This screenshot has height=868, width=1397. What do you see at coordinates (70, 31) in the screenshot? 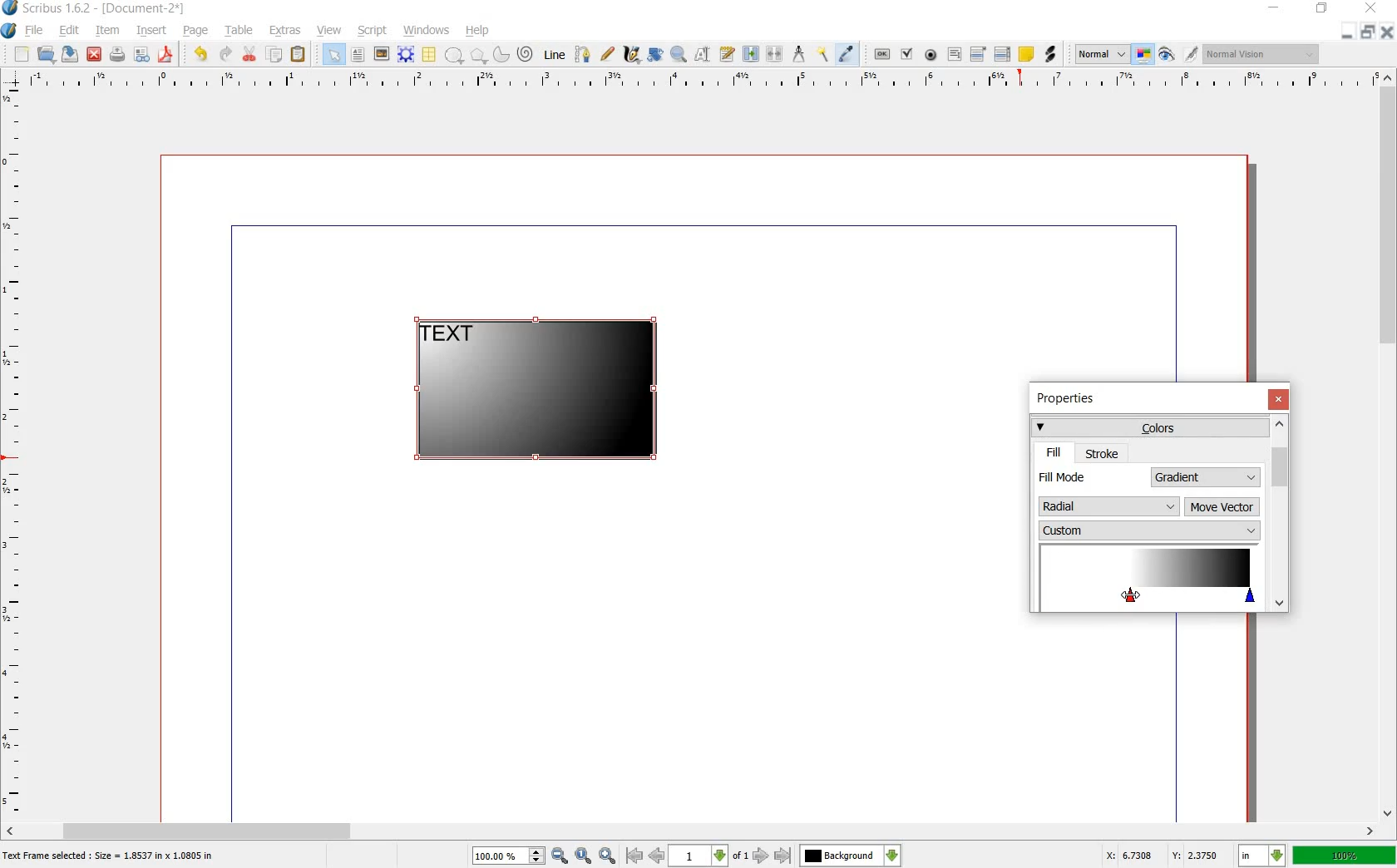
I see `edit` at bounding box center [70, 31].